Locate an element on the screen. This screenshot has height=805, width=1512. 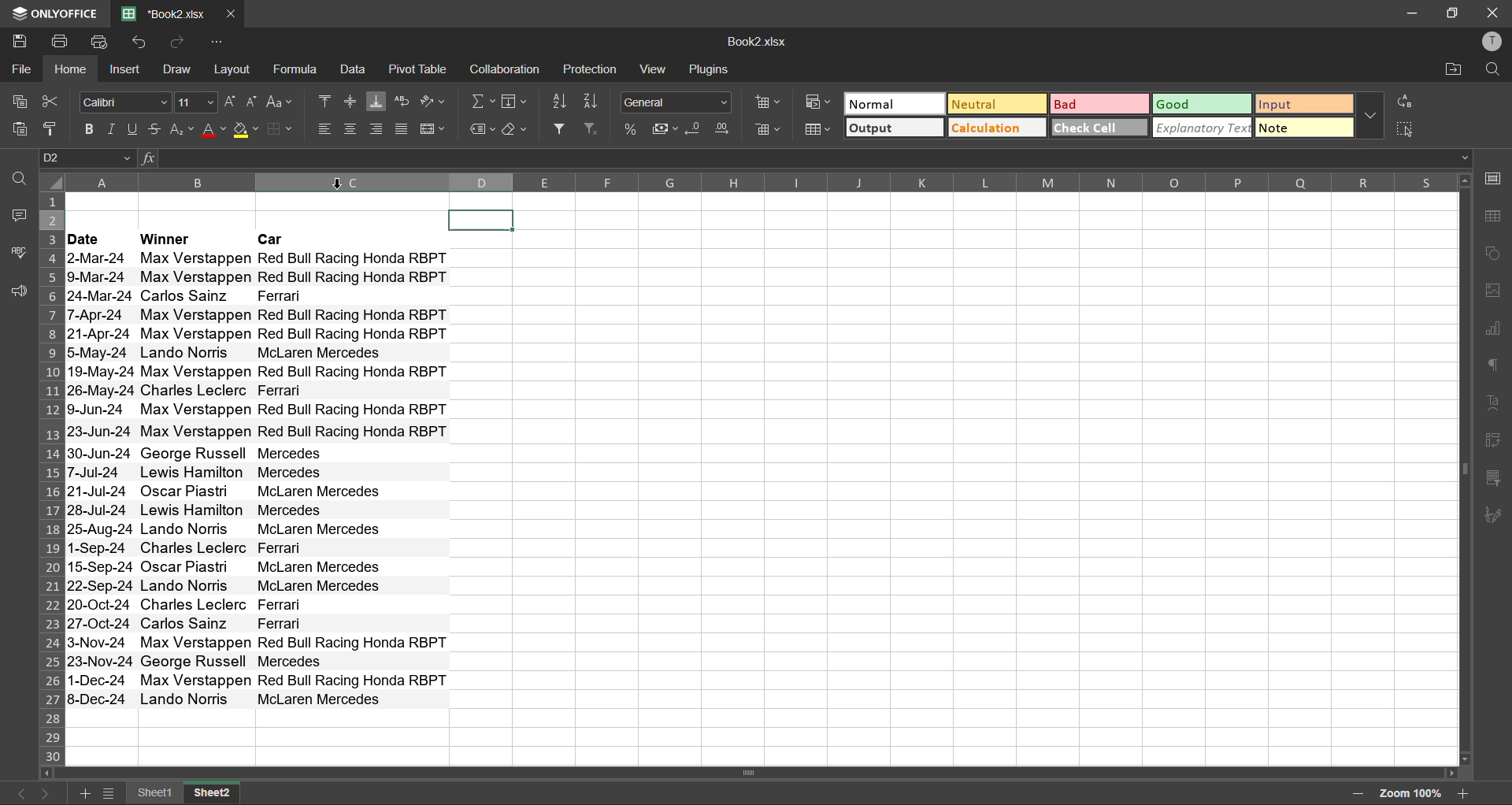
number format  is located at coordinates (674, 102).